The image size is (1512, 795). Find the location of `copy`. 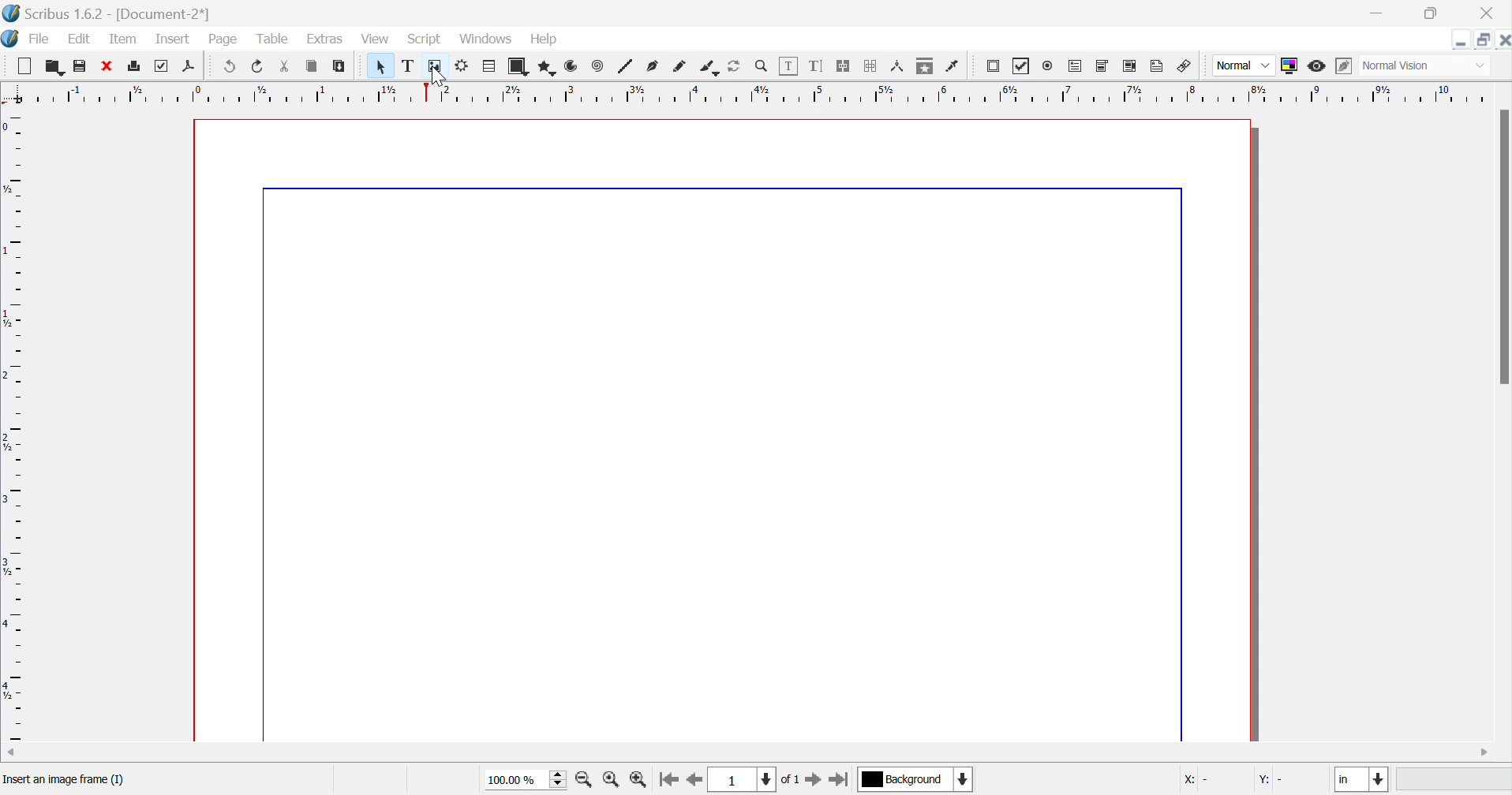

copy is located at coordinates (312, 66).